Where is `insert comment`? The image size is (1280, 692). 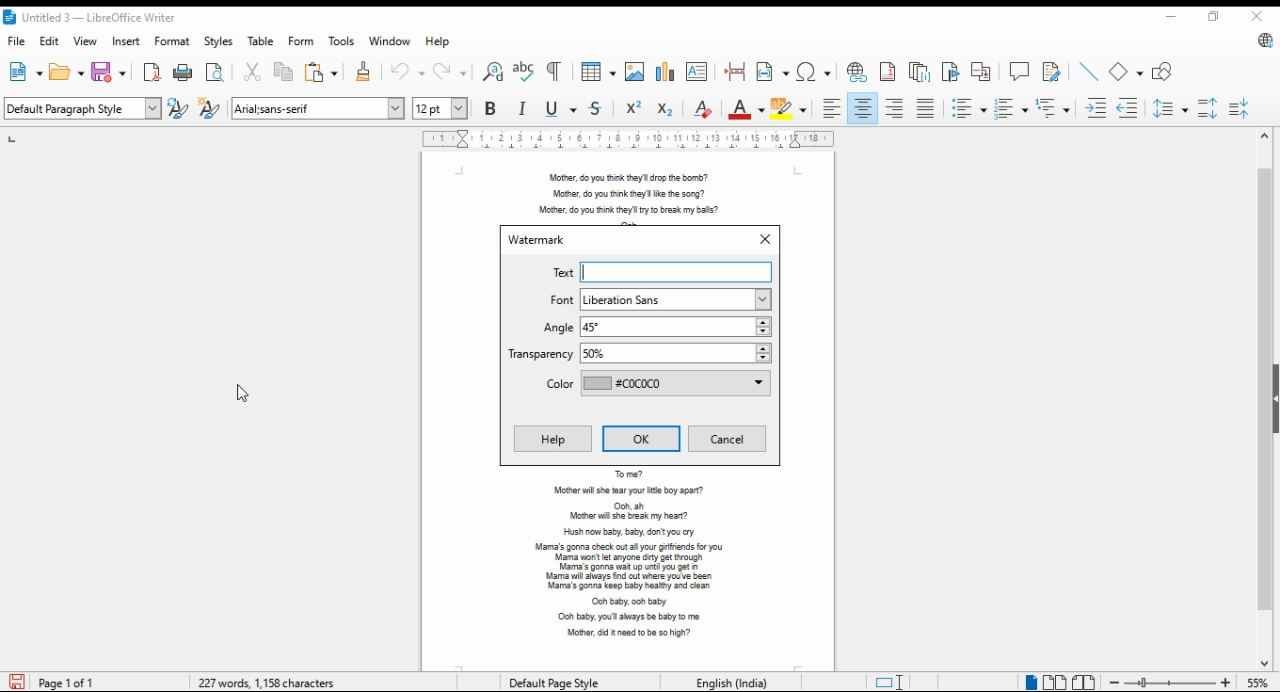
insert comment is located at coordinates (1020, 71).